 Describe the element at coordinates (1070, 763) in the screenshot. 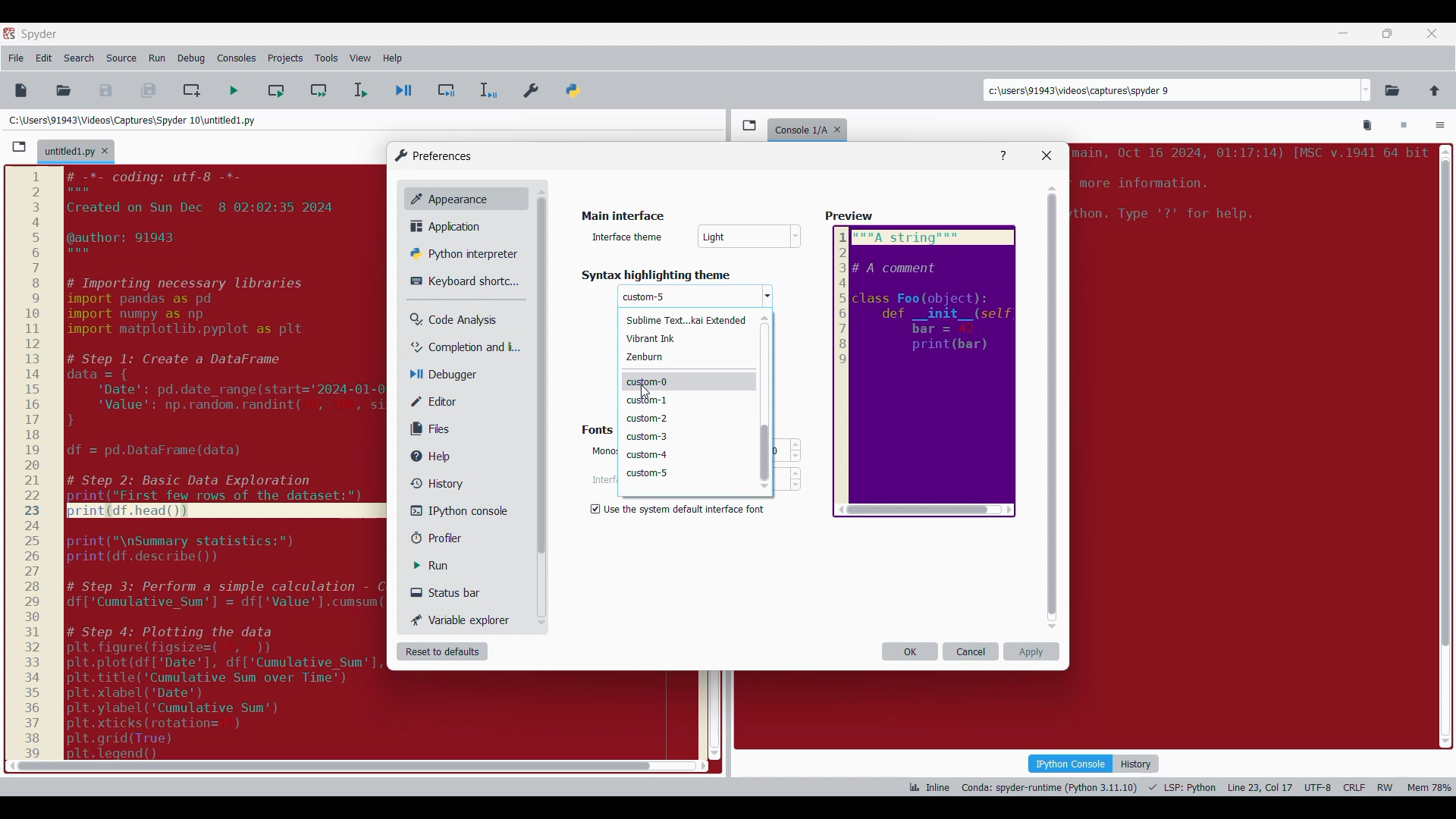

I see `IPython console` at that location.